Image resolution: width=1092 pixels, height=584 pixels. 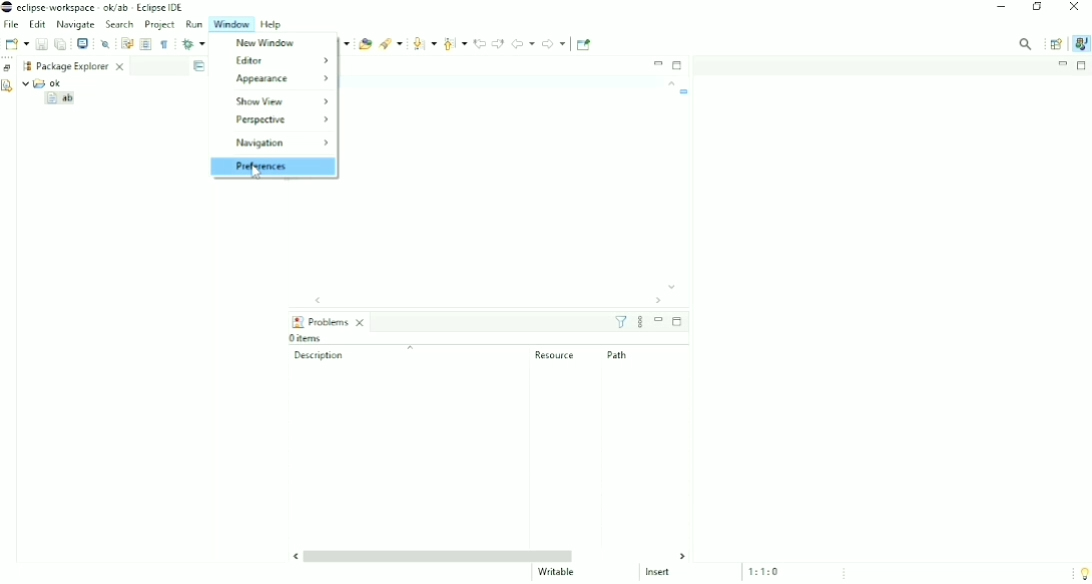 What do you see at coordinates (126, 42) in the screenshot?
I see `Toggle Word Wrap` at bounding box center [126, 42].